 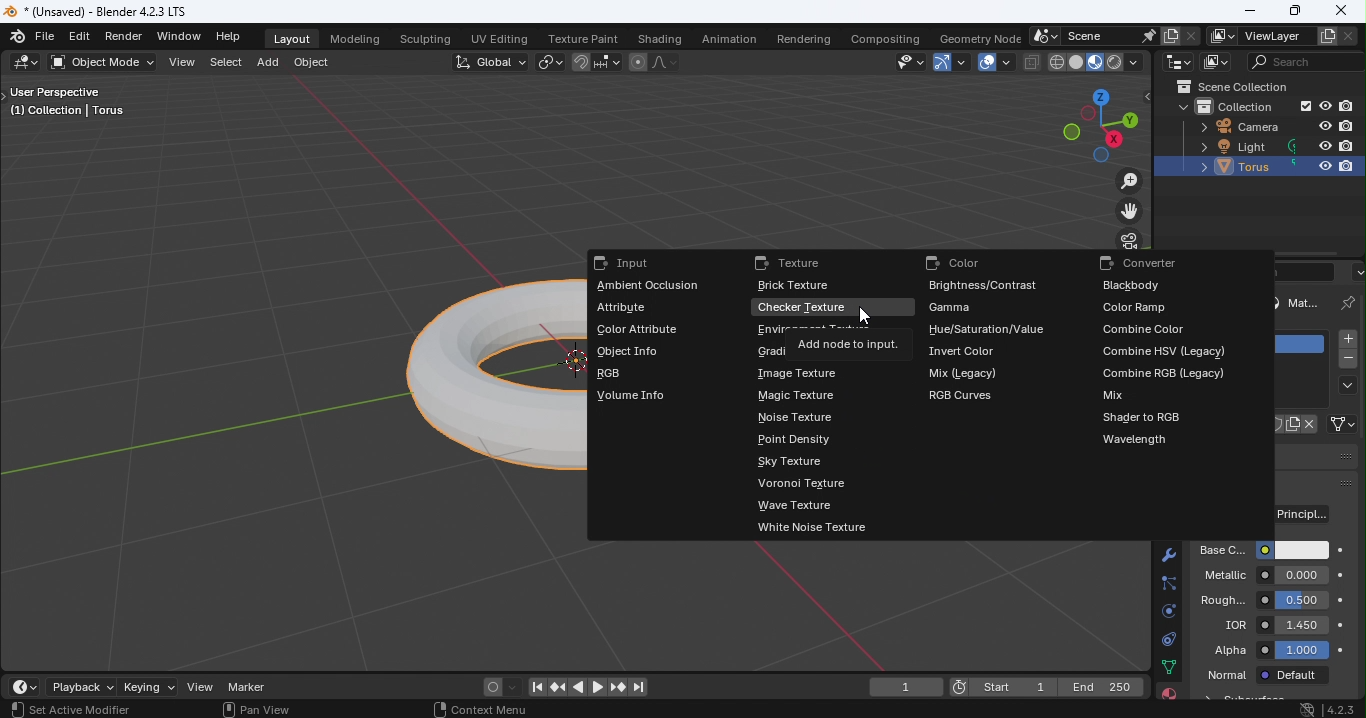 What do you see at coordinates (1339, 627) in the screenshot?
I see `Animate property` at bounding box center [1339, 627].